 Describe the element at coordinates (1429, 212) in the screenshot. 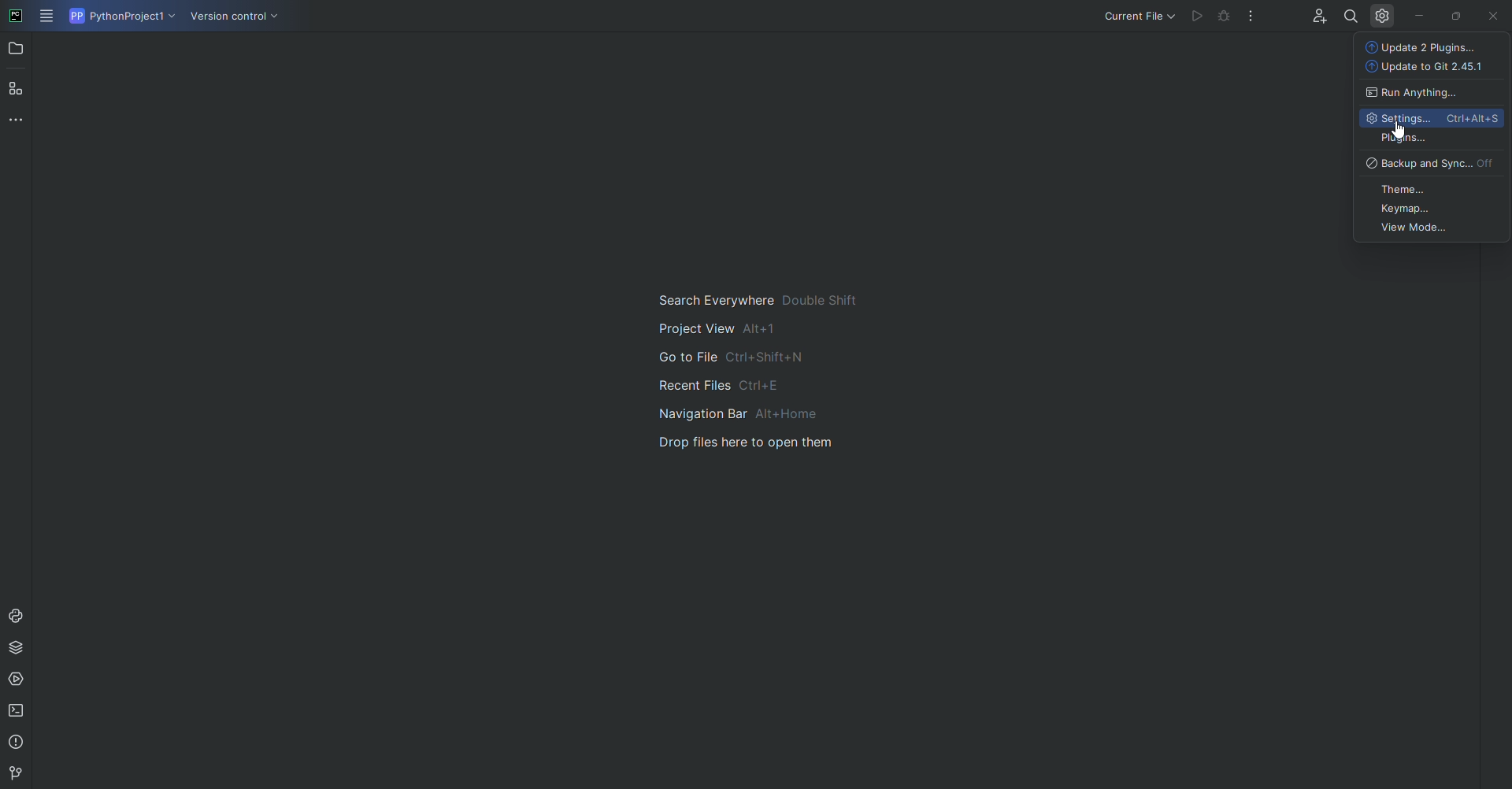

I see `Keymap` at that location.